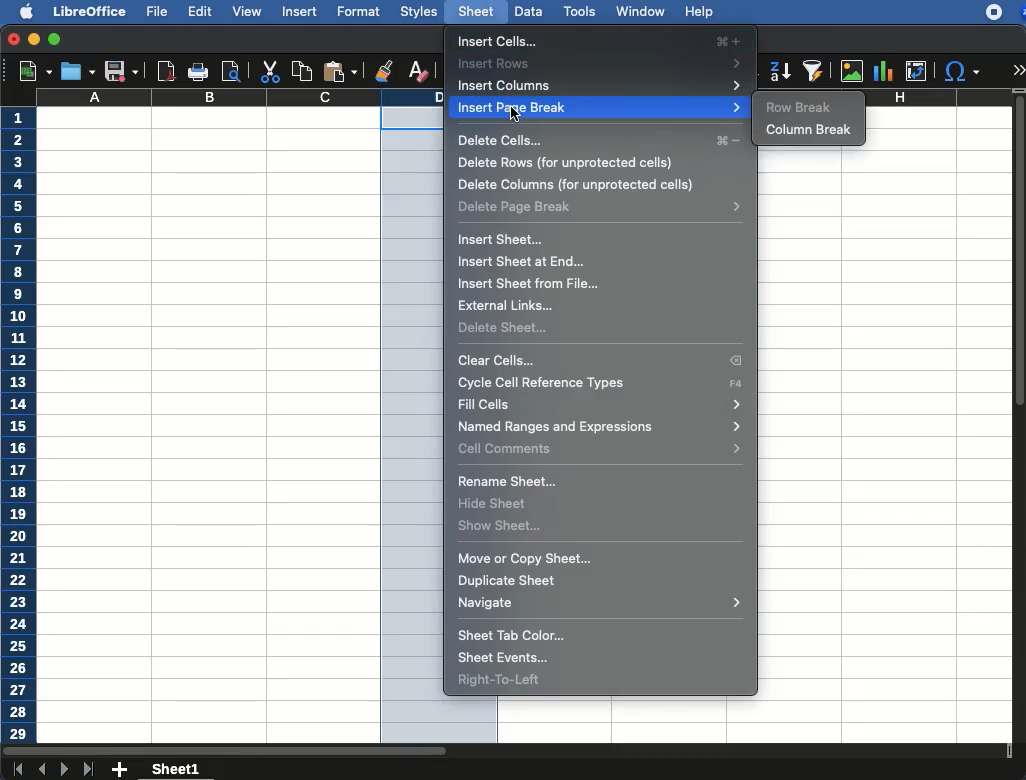 Image resolution: width=1026 pixels, height=780 pixels. What do you see at coordinates (383, 70) in the screenshot?
I see `clone formatting` at bounding box center [383, 70].